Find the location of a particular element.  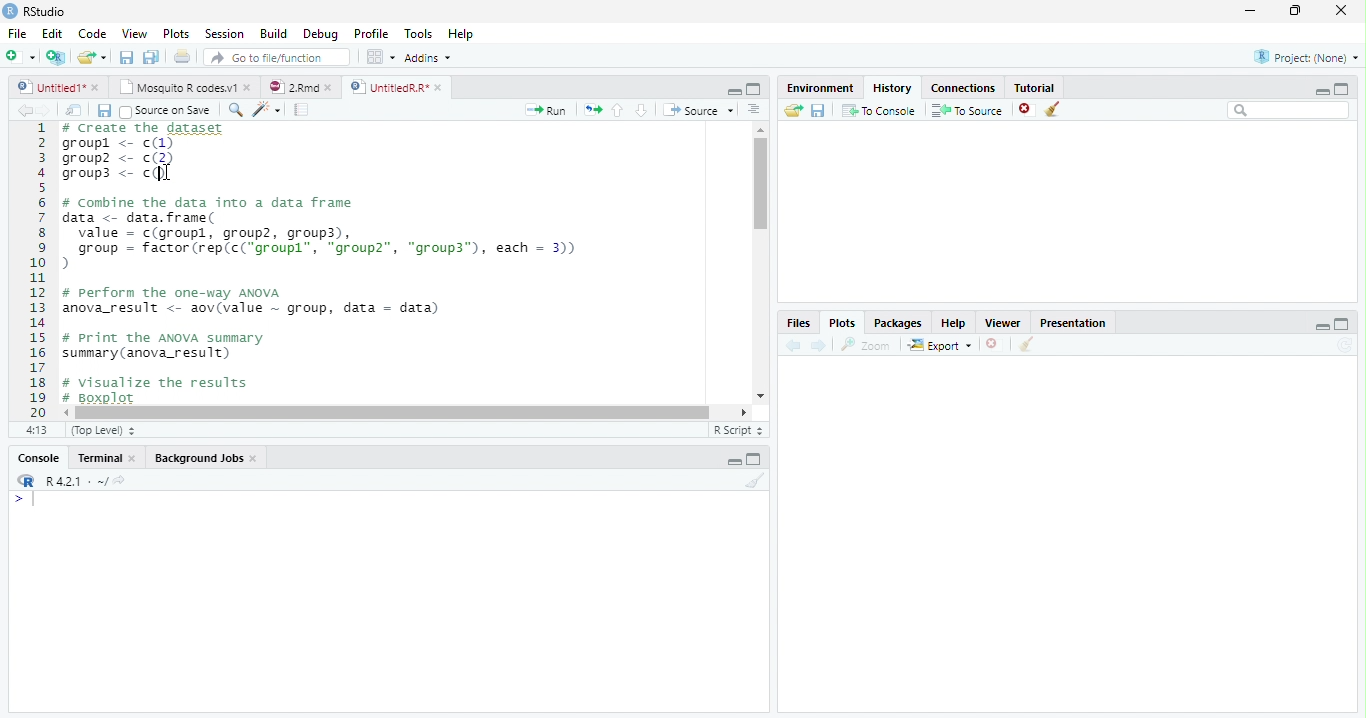

Save All open documents is located at coordinates (150, 57).